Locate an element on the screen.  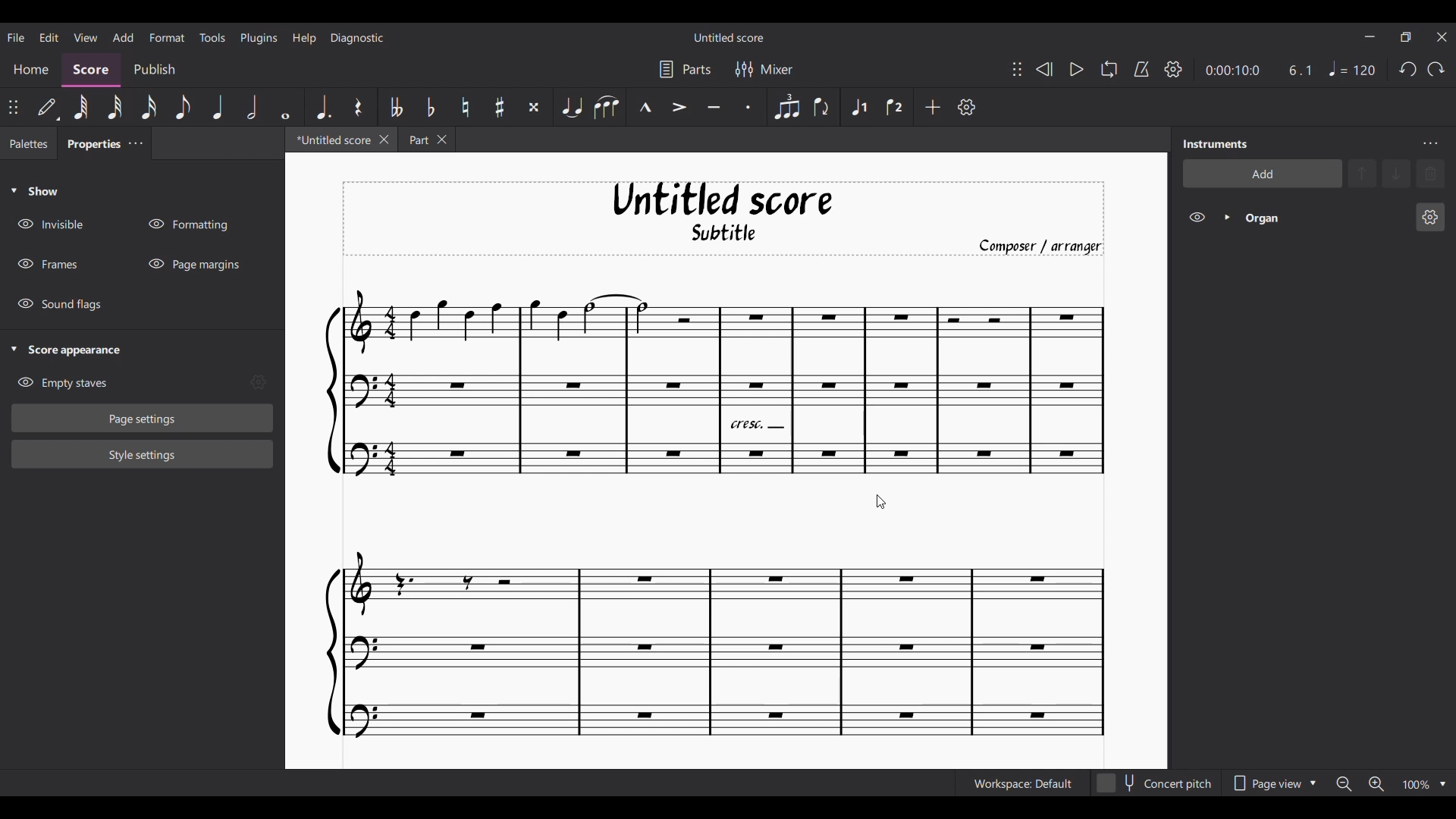
Collapse Score appearance is located at coordinates (67, 351).